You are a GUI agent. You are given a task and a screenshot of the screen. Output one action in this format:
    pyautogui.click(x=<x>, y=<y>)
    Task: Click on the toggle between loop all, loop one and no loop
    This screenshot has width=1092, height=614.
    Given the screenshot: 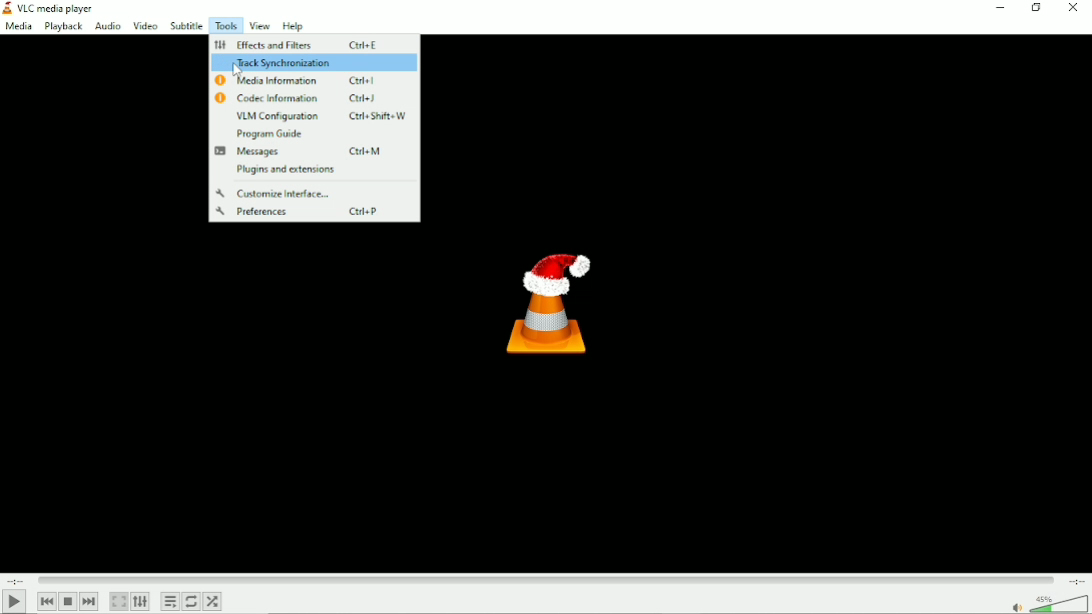 What is the action you would take?
    pyautogui.click(x=193, y=601)
    